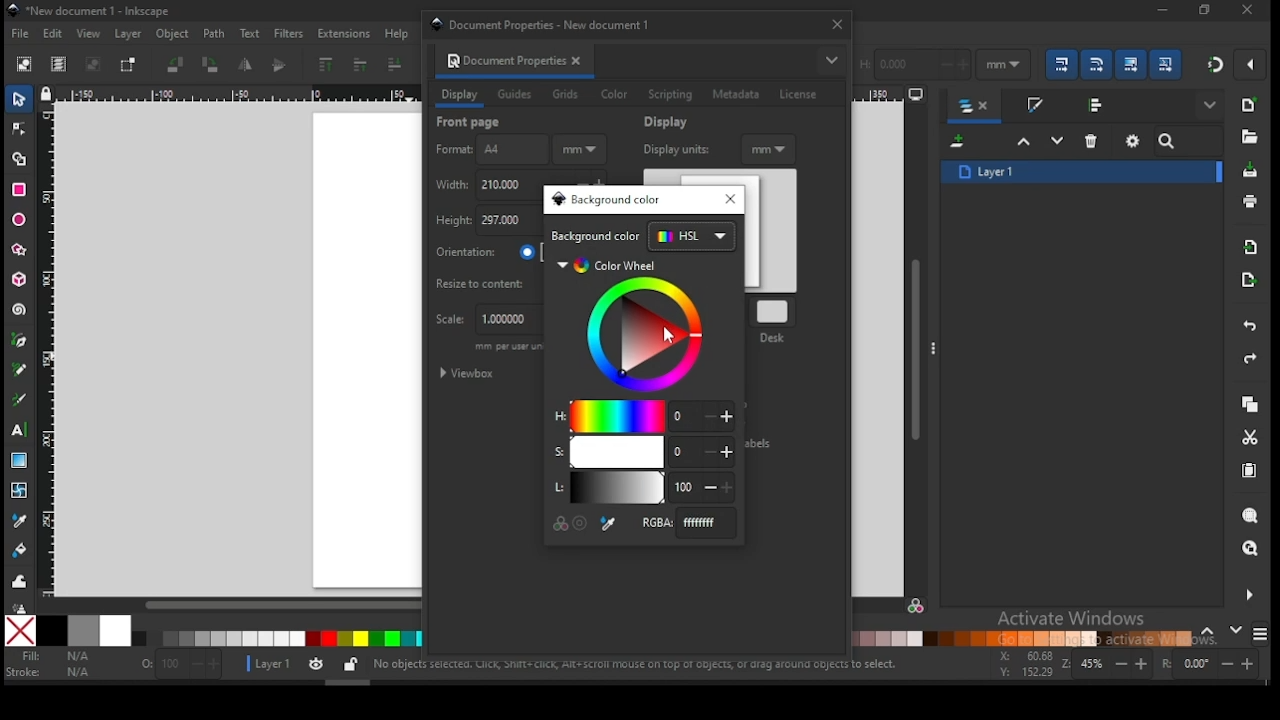 This screenshot has height=720, width=1280. Describe the element at coordinates (179, 667) in the screenshot. I see `opacity` at that location.